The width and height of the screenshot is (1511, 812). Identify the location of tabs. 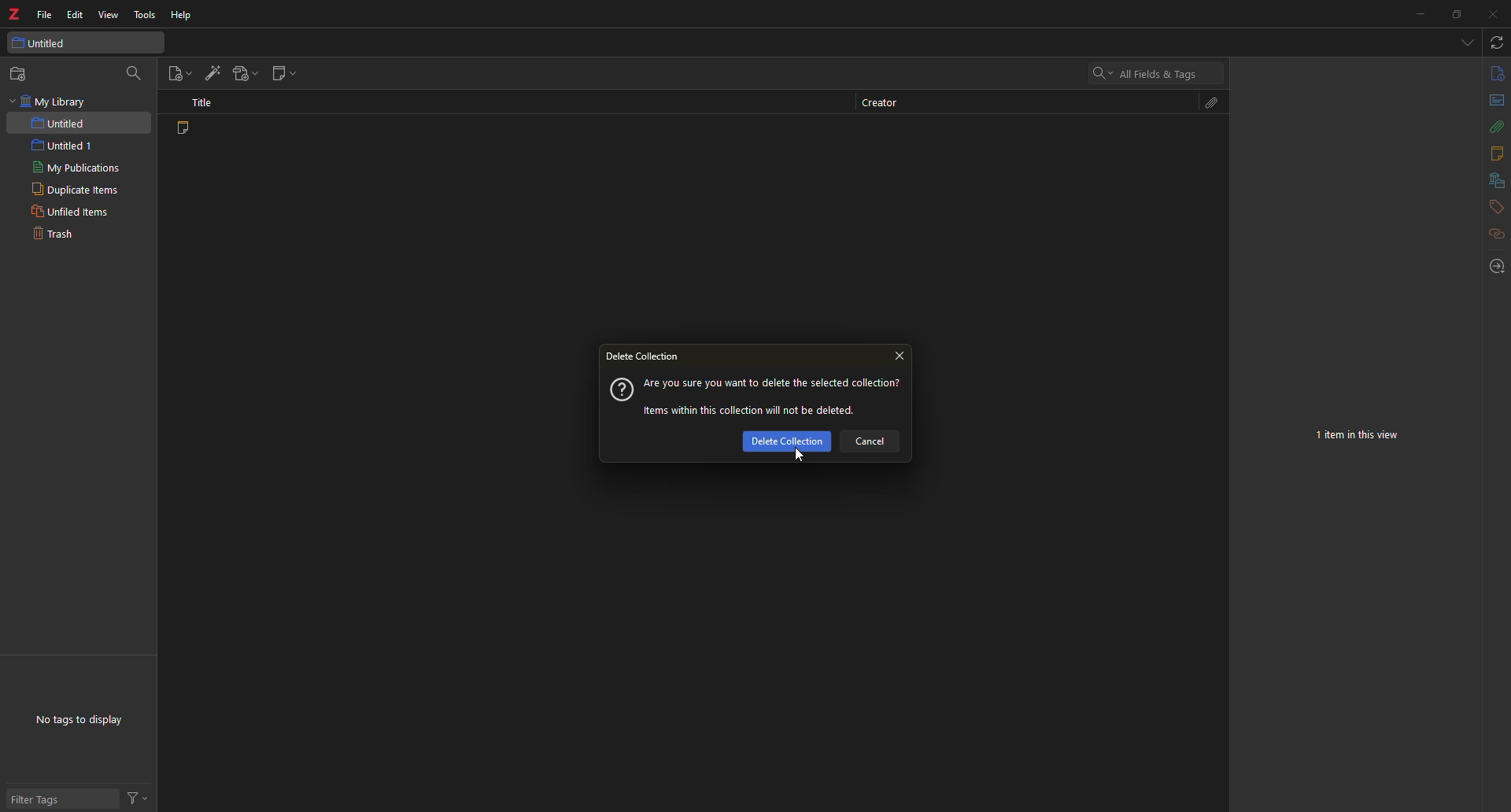
(1465, 43).